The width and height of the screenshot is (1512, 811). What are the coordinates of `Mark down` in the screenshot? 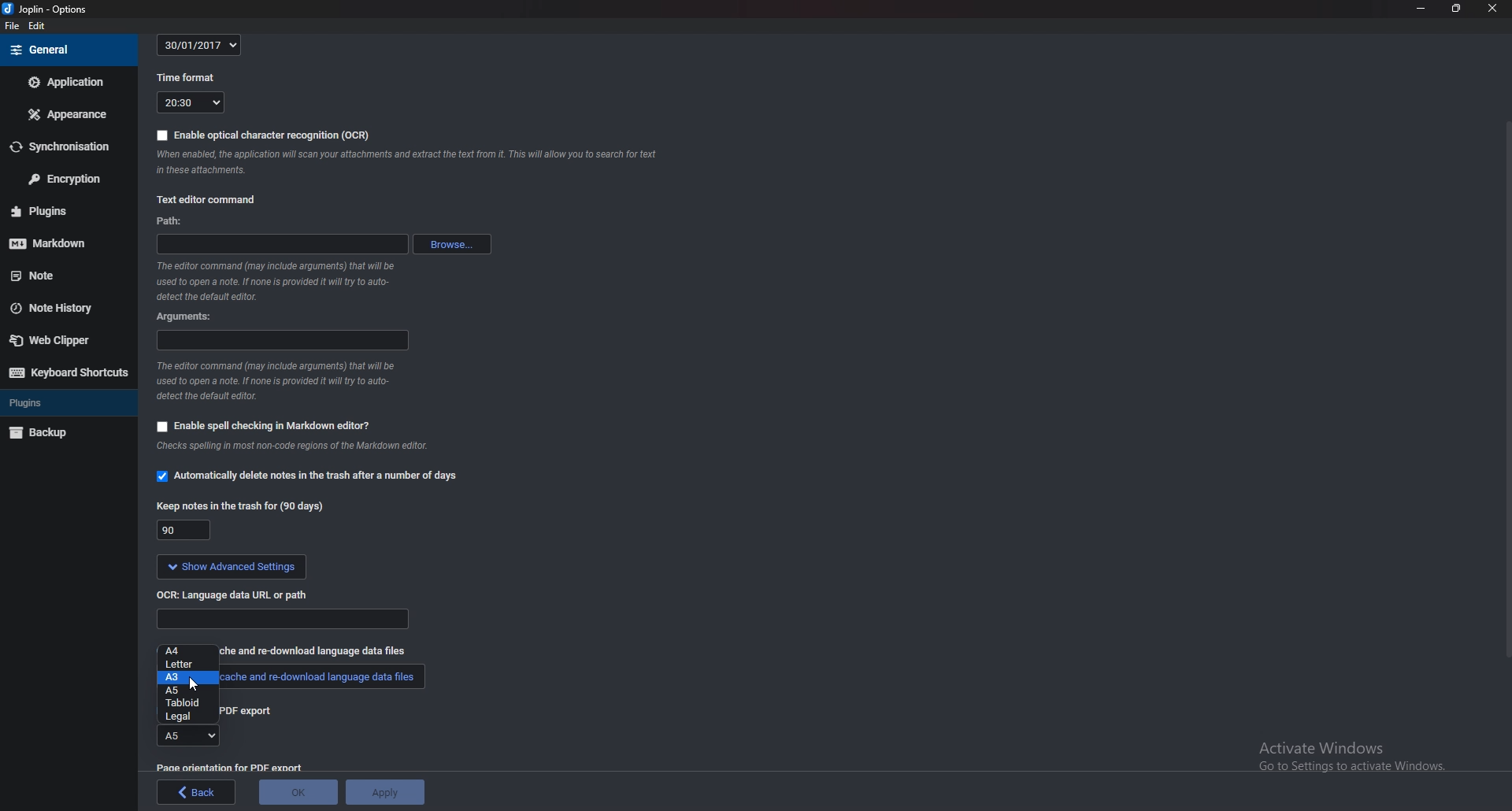 It's located at (59, 243).